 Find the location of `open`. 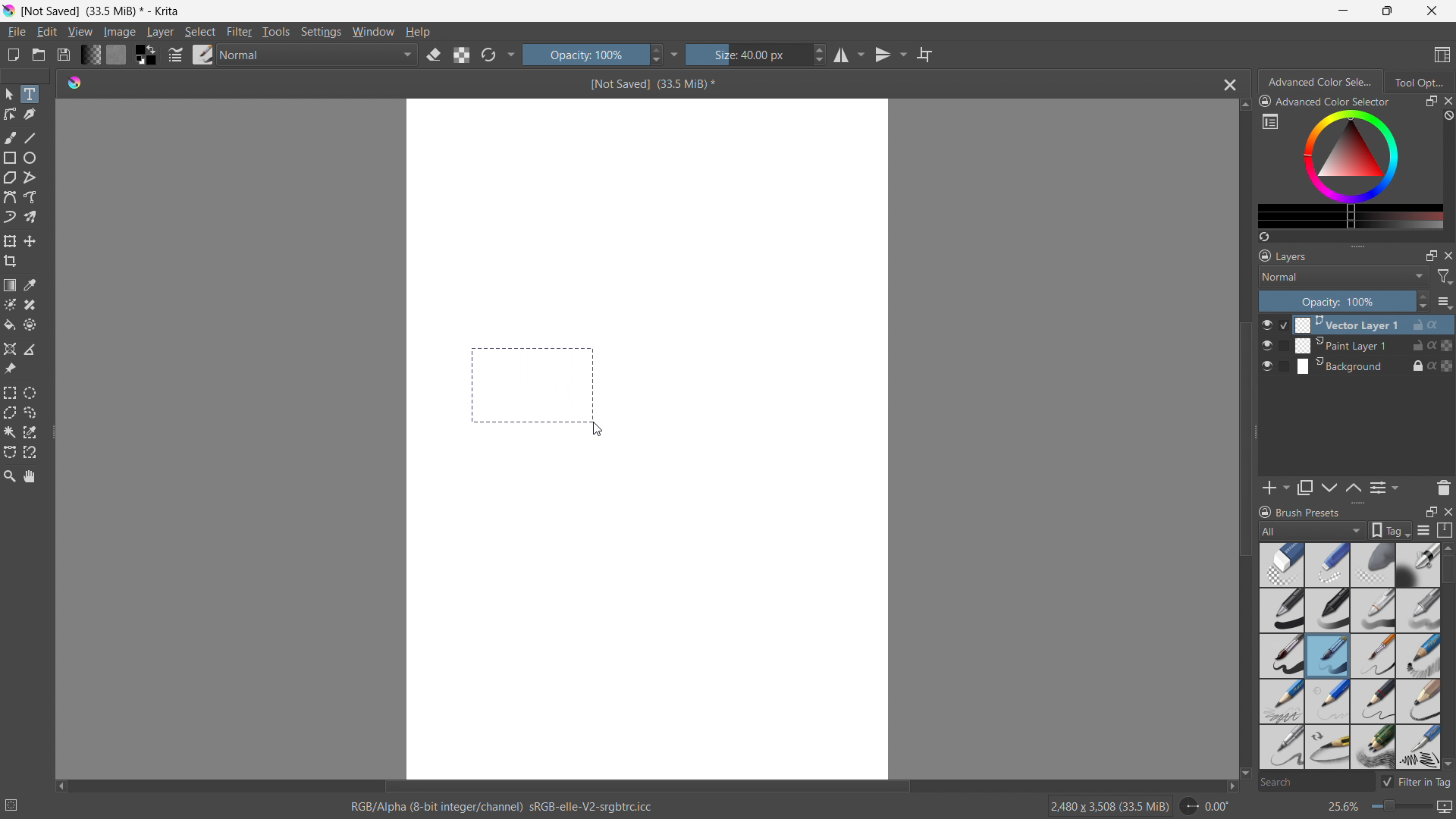

open is located at coordinates (39, 55).